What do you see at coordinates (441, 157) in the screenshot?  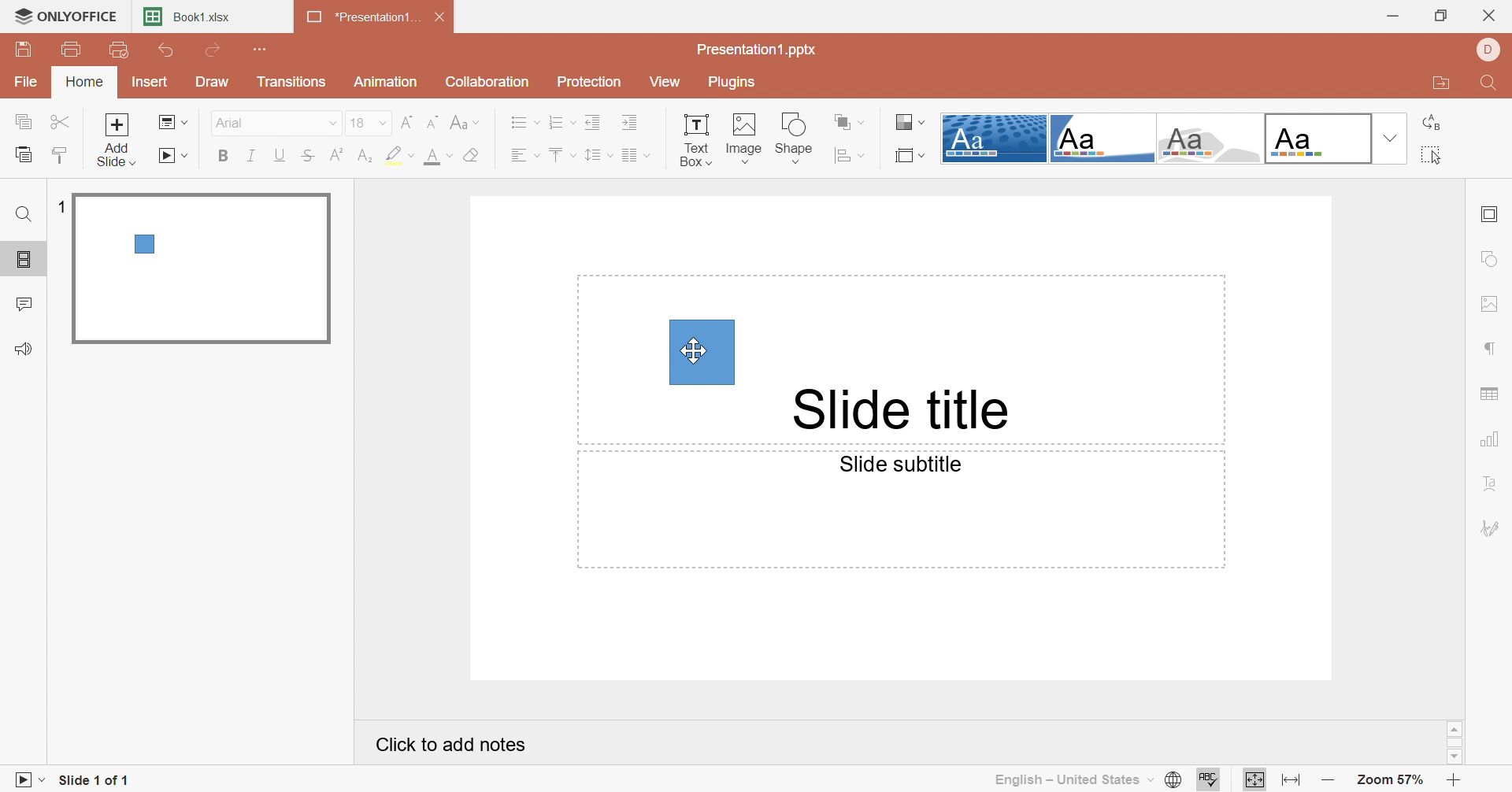 I see `Font color` at bounding box center [441, 157].